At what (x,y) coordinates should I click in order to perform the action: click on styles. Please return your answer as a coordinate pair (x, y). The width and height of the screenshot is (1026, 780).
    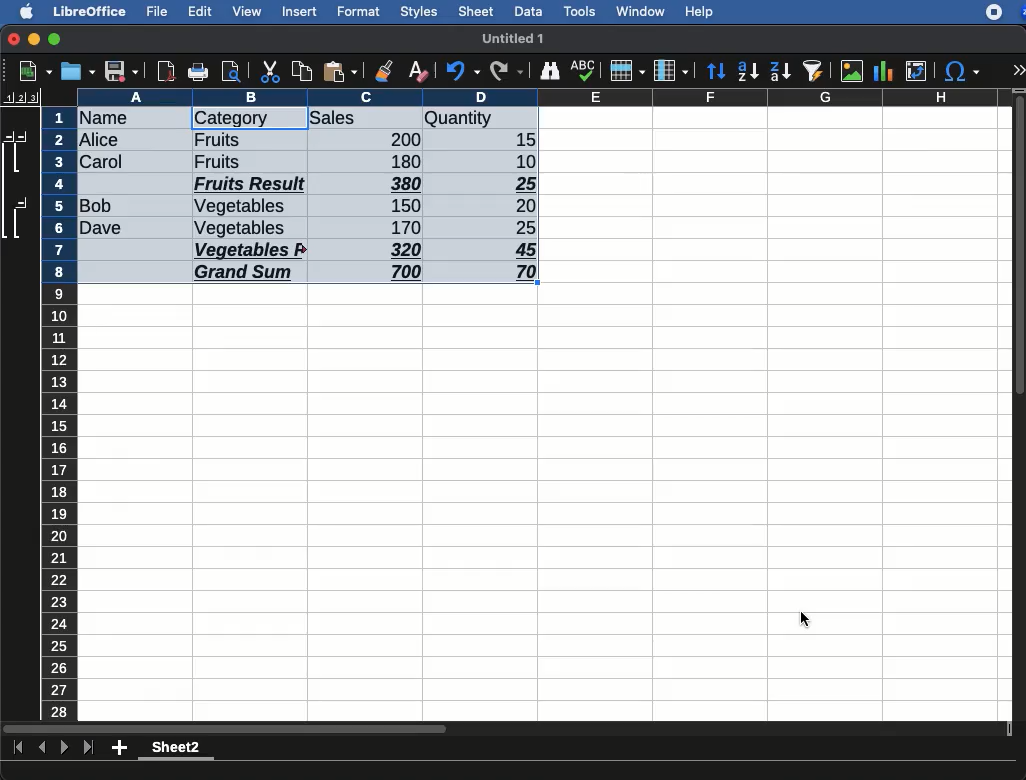
    Looking at the image, I should click on (417, 14).